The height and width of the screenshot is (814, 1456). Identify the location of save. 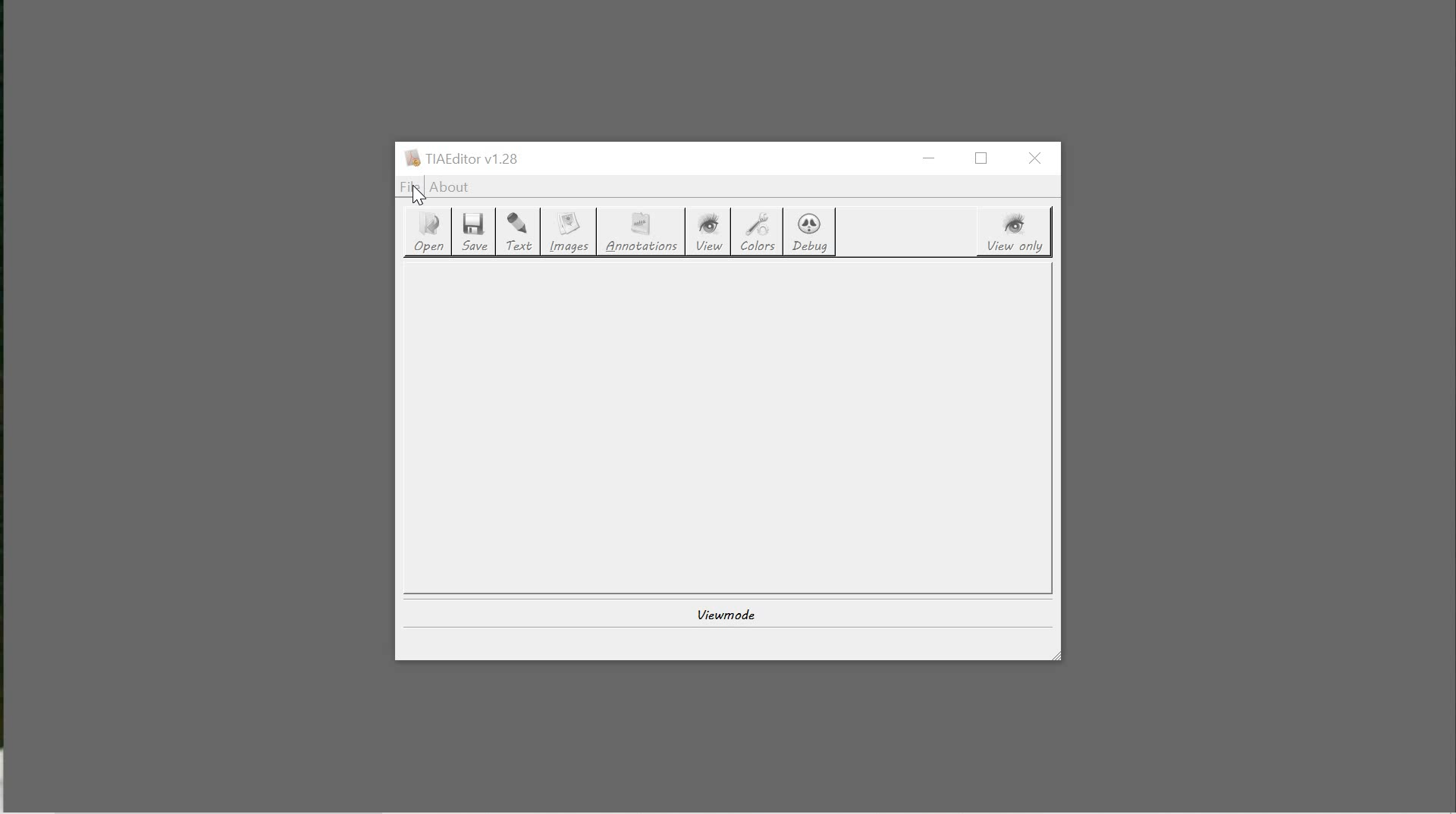
(476, 232).